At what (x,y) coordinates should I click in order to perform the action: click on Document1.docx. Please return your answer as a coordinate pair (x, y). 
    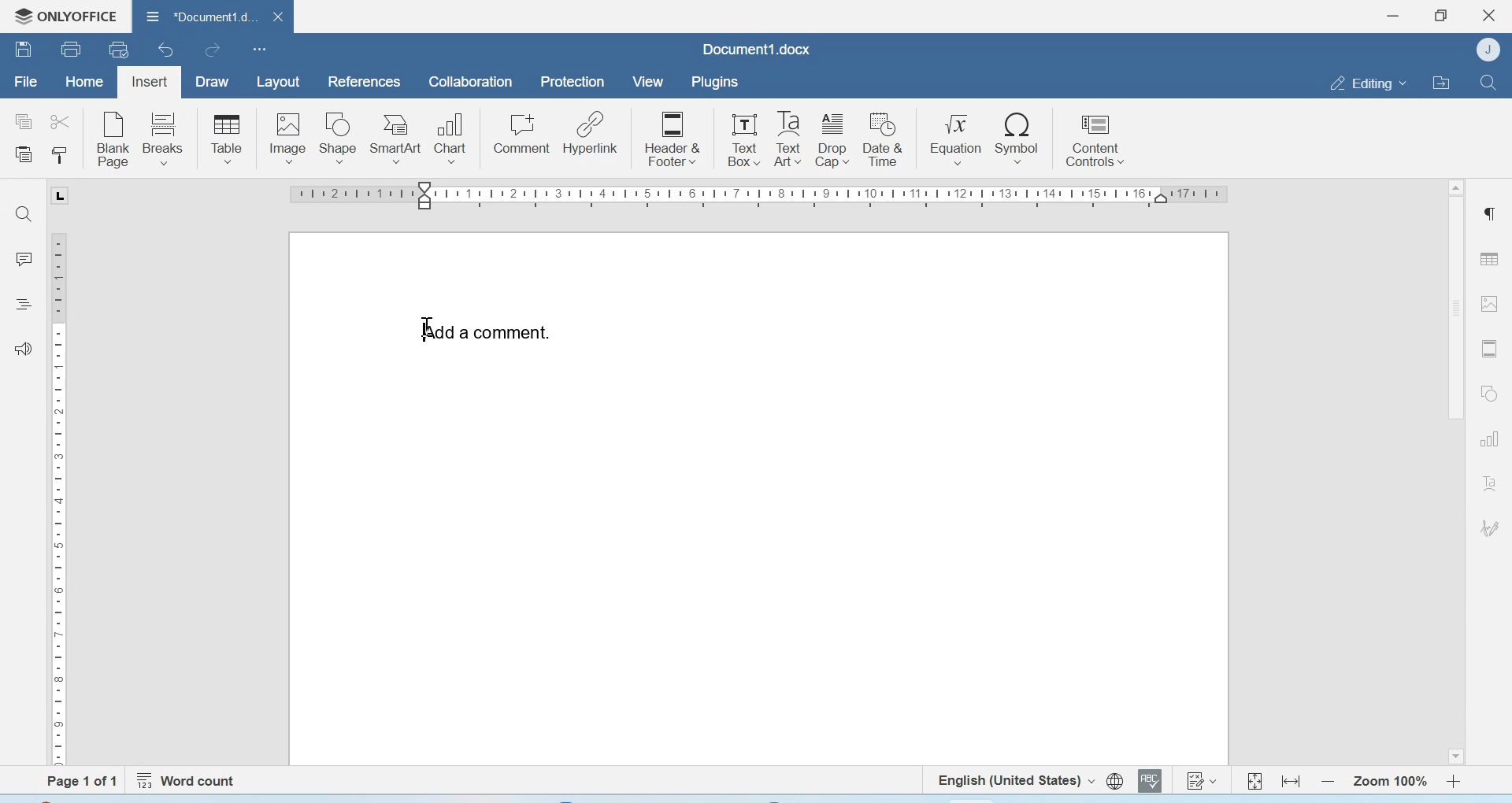
    Looking at the image, I should click on (758, 49).